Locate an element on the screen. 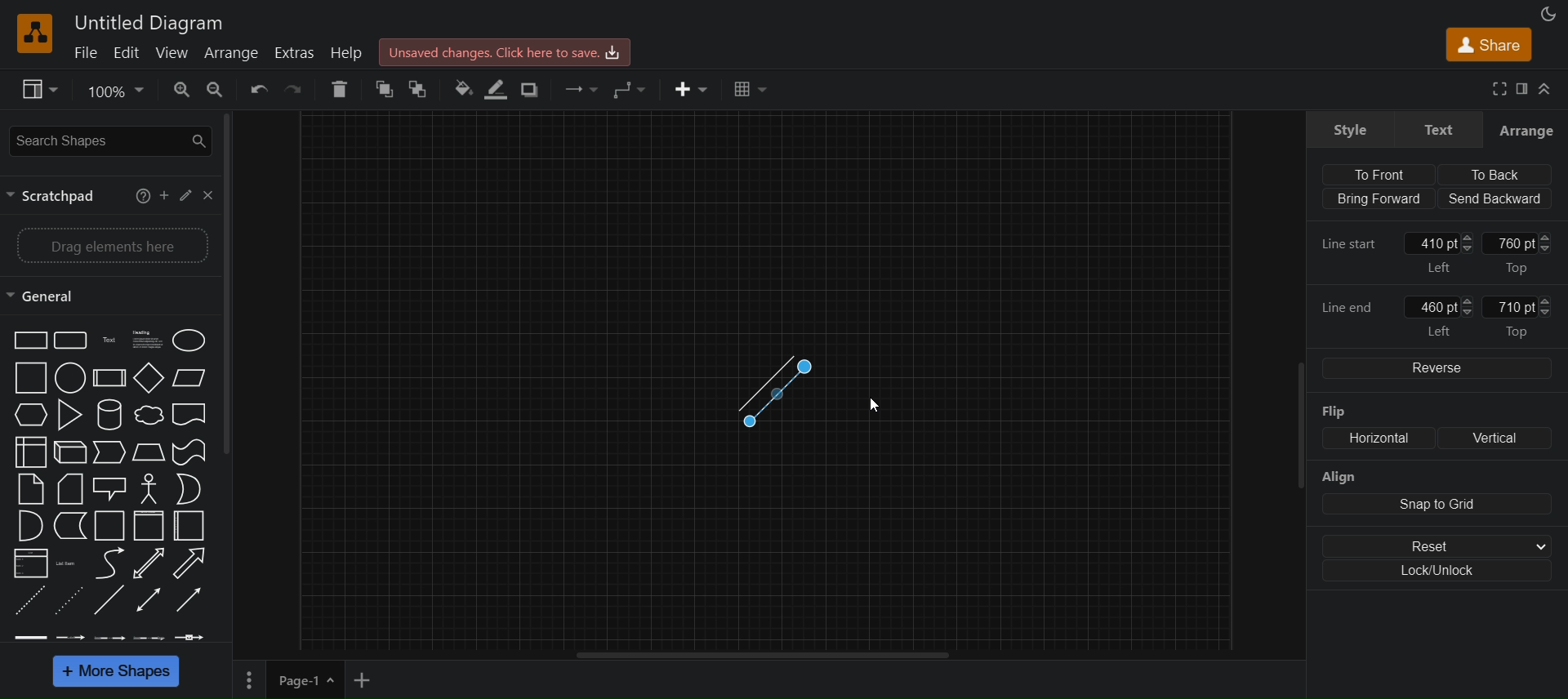  Cylinder is located at coordinates (107, 413).